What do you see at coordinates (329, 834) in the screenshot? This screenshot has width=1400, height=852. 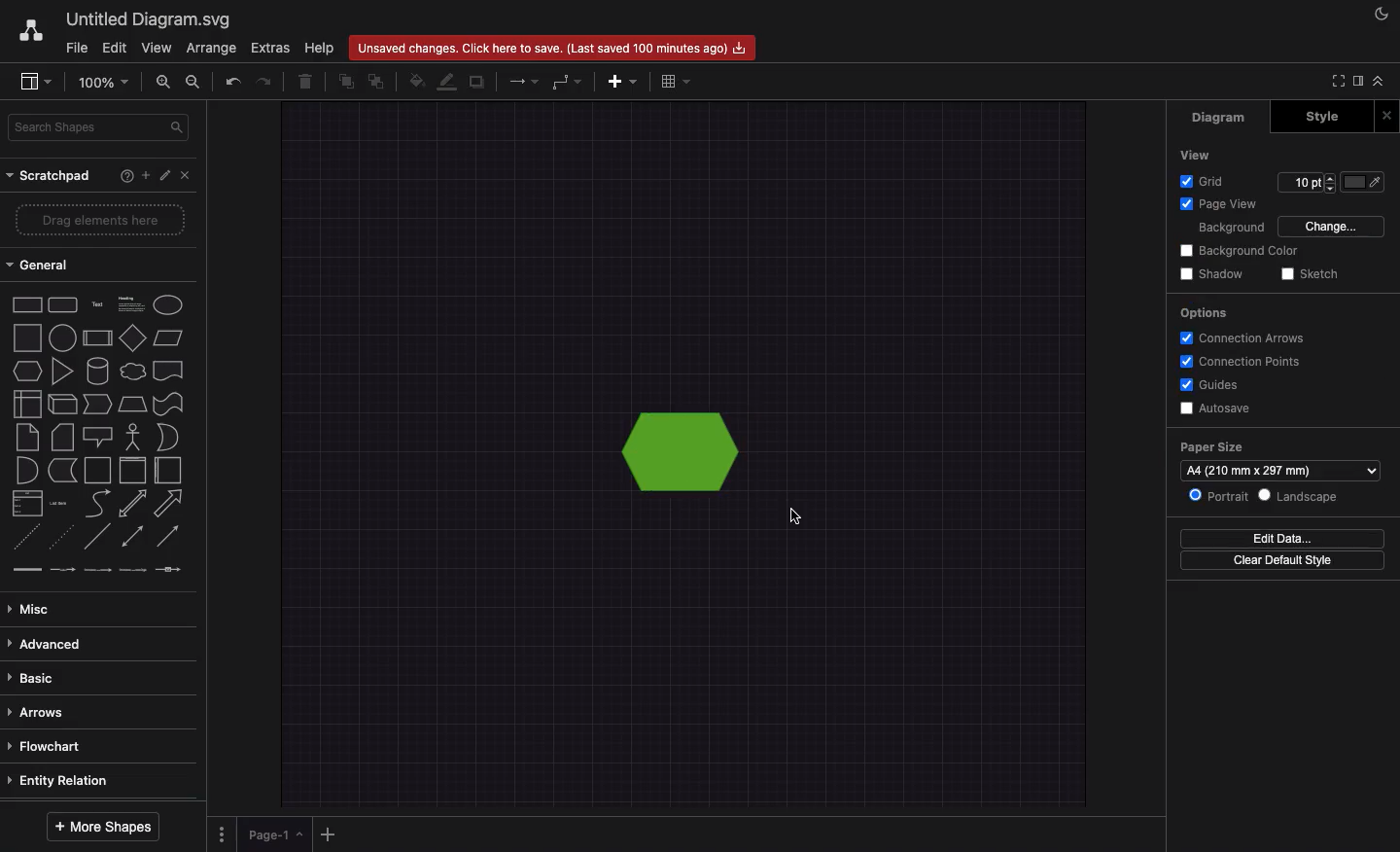 I see `Add` at bounding box center [329, 834].